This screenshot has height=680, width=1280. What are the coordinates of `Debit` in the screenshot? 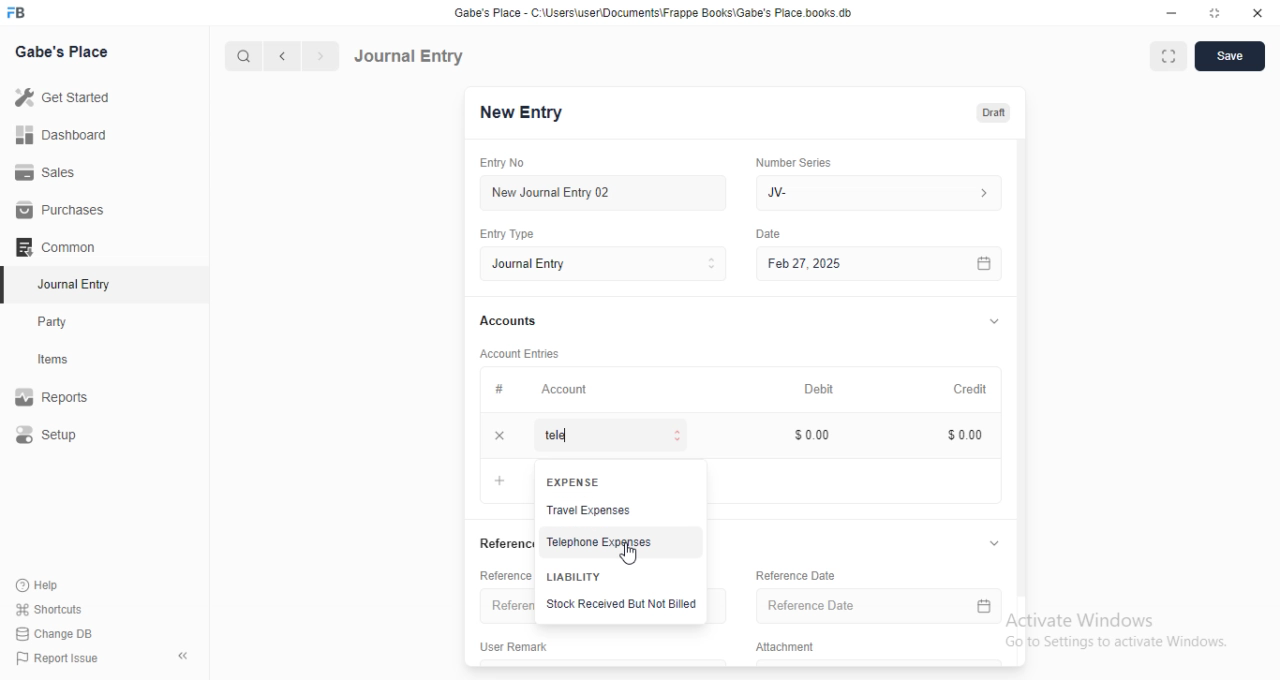 It's located at (819, 390).